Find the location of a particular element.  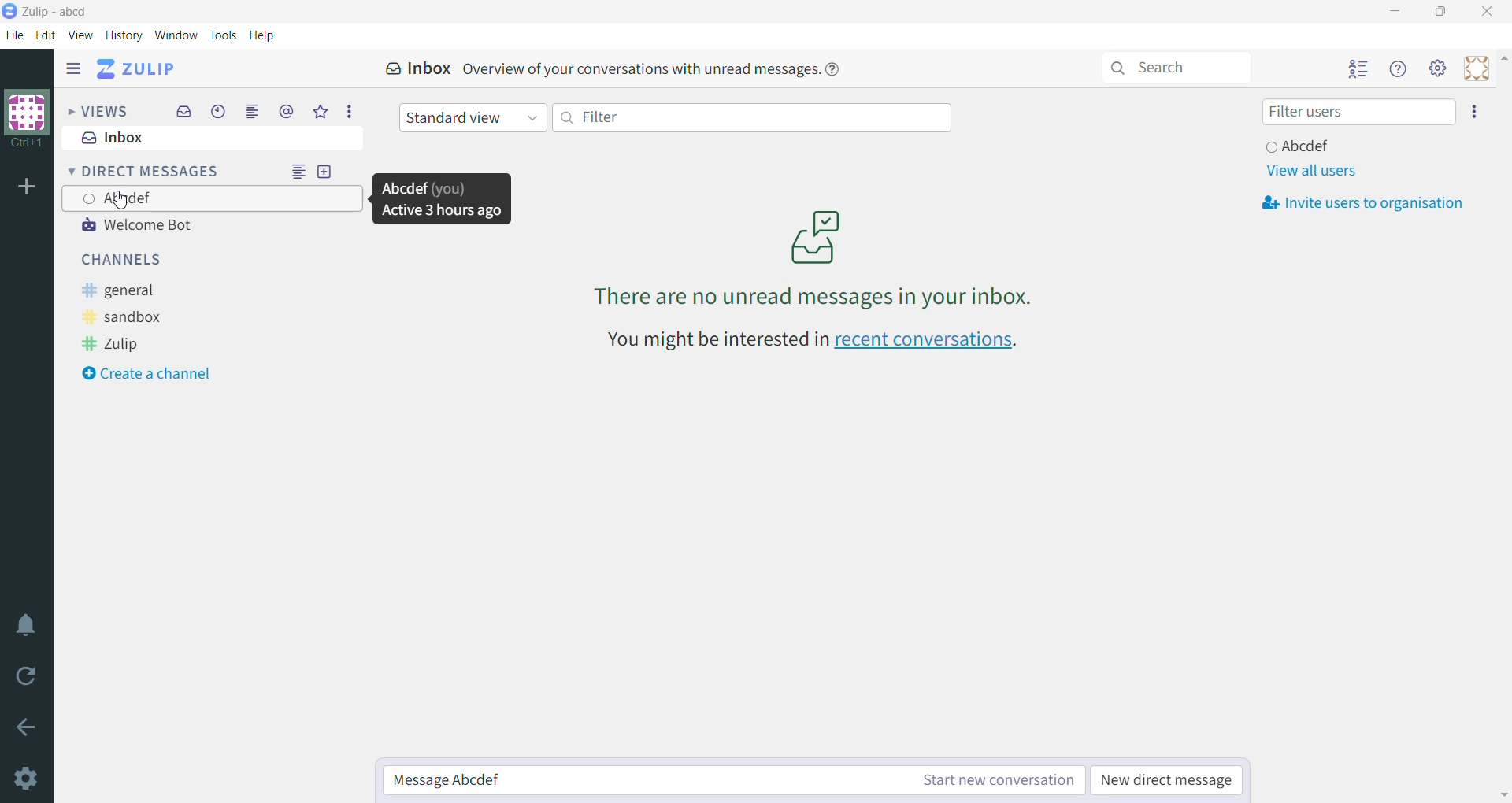

You might be interested in recent conversations - Click link to open recent conversations is located at coordinates (816, 341).